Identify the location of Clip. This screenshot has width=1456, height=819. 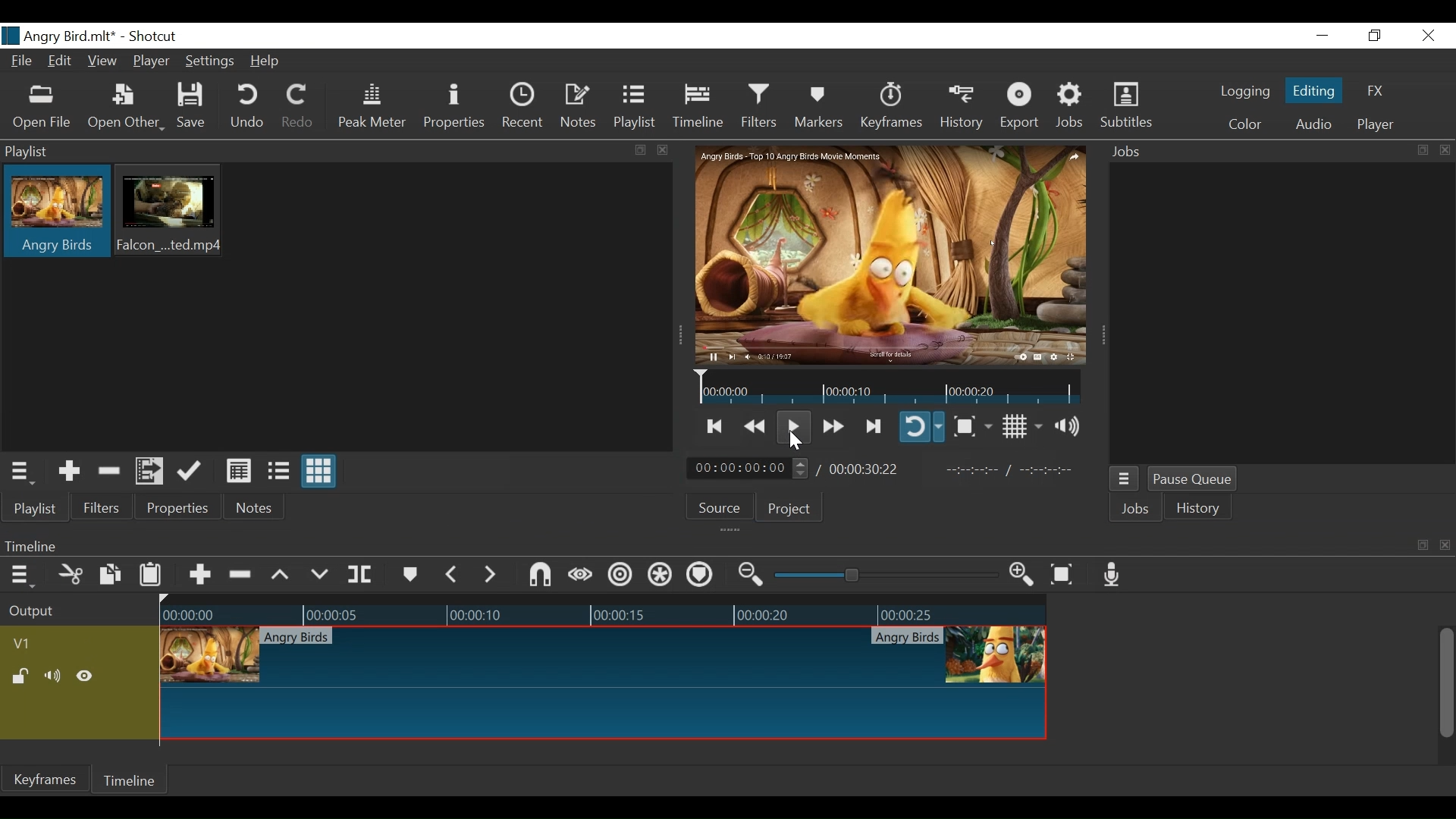
(56, 213).